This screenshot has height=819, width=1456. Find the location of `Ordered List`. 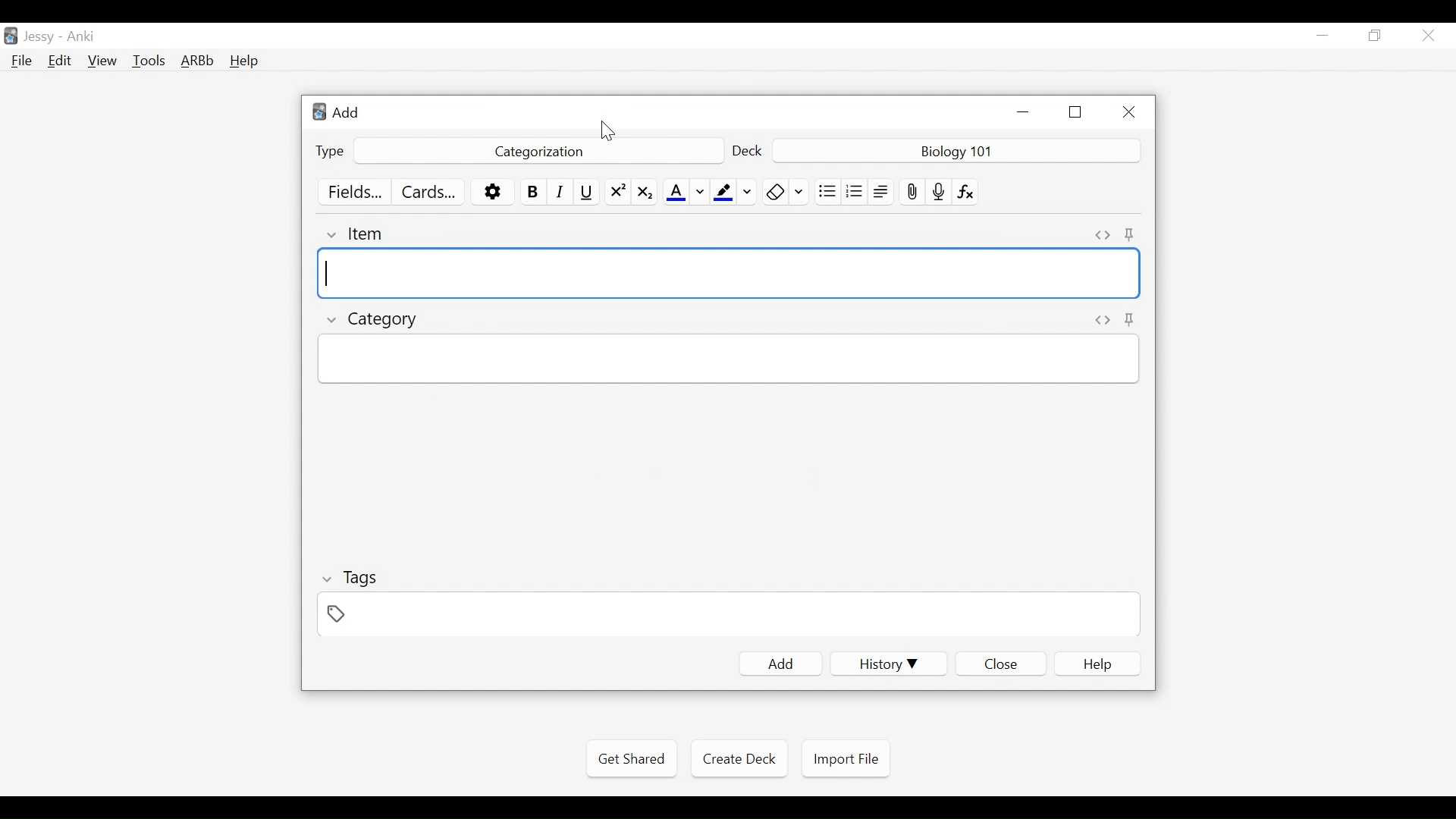

Ordered List is located at coordinates (855, 193).